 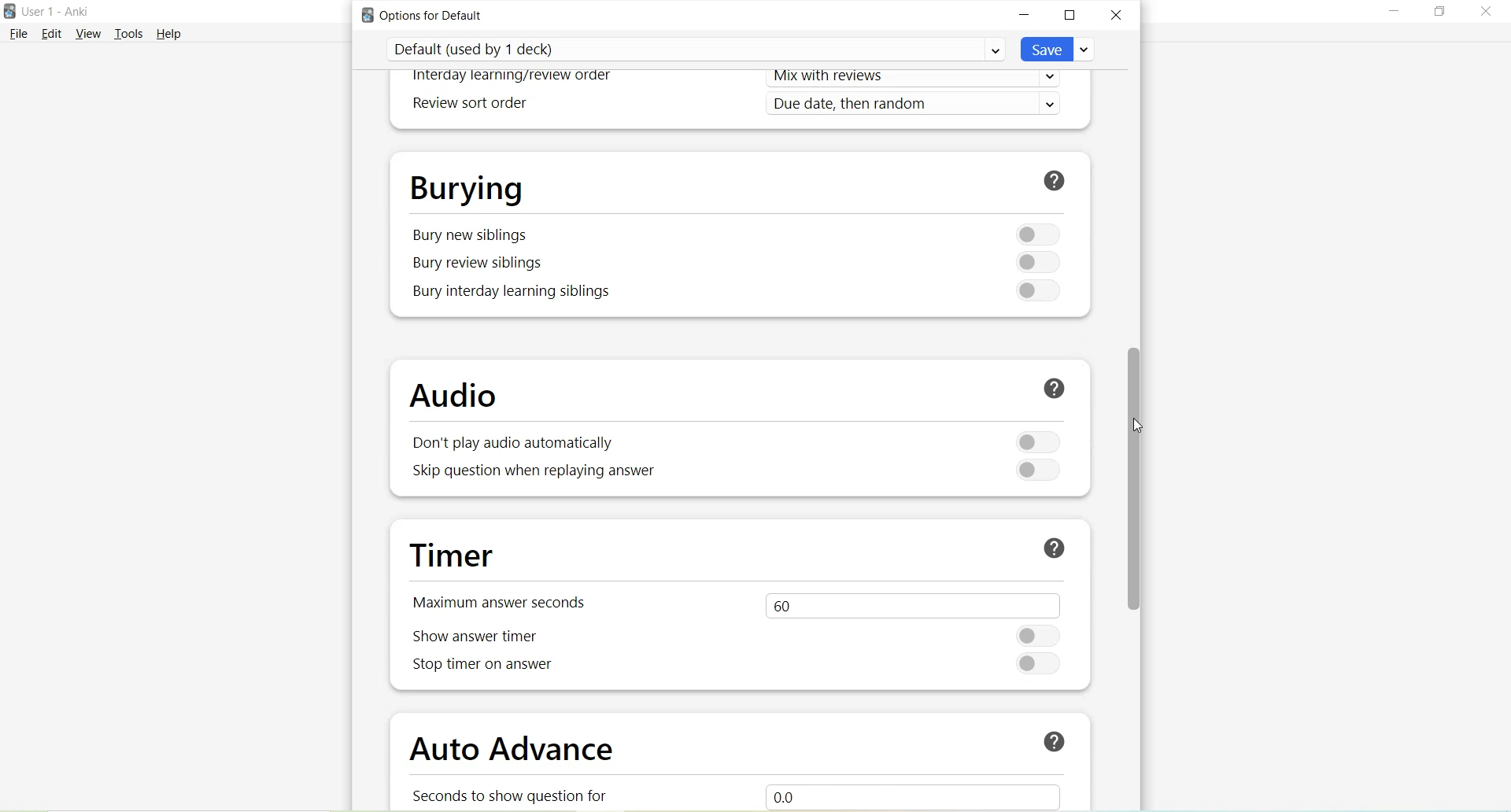 I want to click on Auto Advance, so click(x=515, y=752).